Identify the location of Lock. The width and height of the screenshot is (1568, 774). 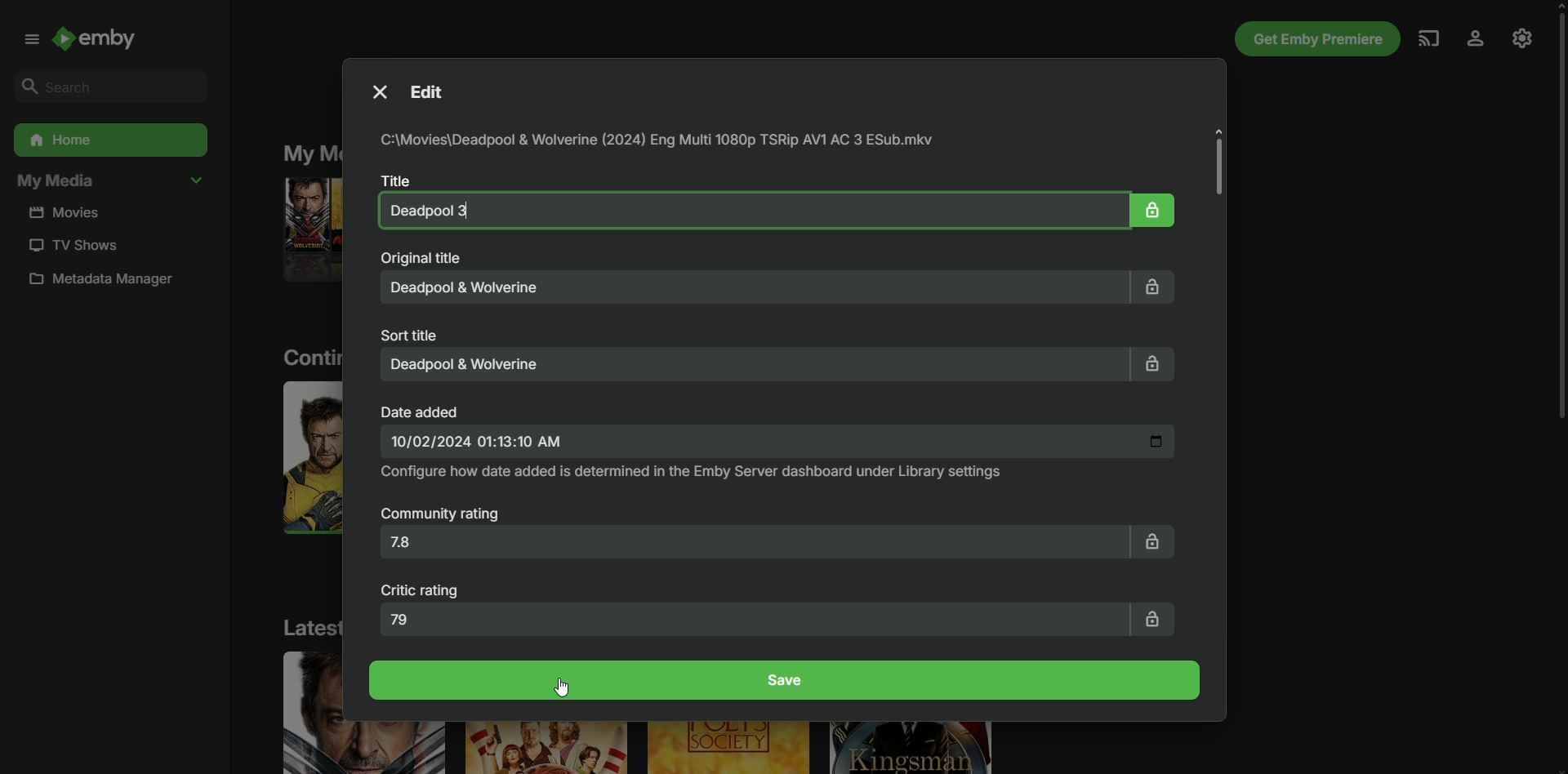
(1152, 366).